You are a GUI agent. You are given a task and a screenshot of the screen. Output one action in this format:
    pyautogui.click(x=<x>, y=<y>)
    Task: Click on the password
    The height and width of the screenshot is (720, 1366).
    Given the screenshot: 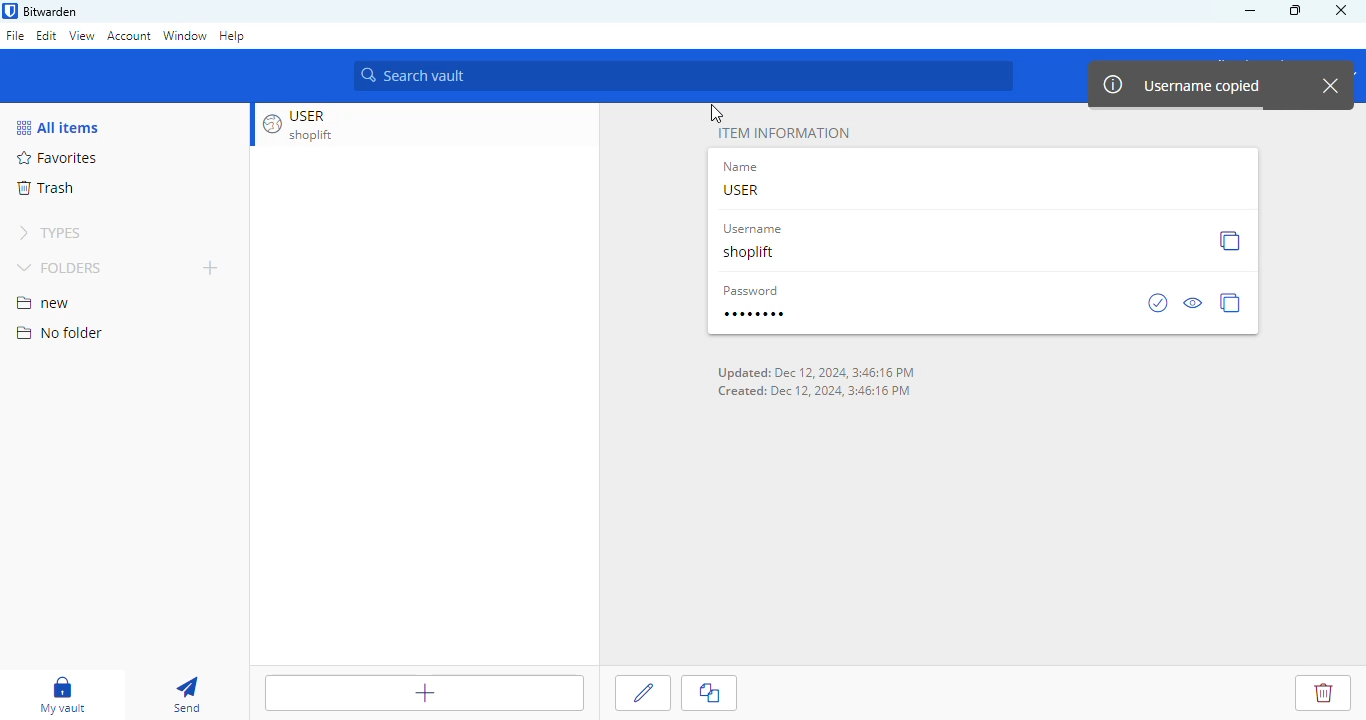 What is the action you would take?
    pyautogui.click(x=751, y=292)
    